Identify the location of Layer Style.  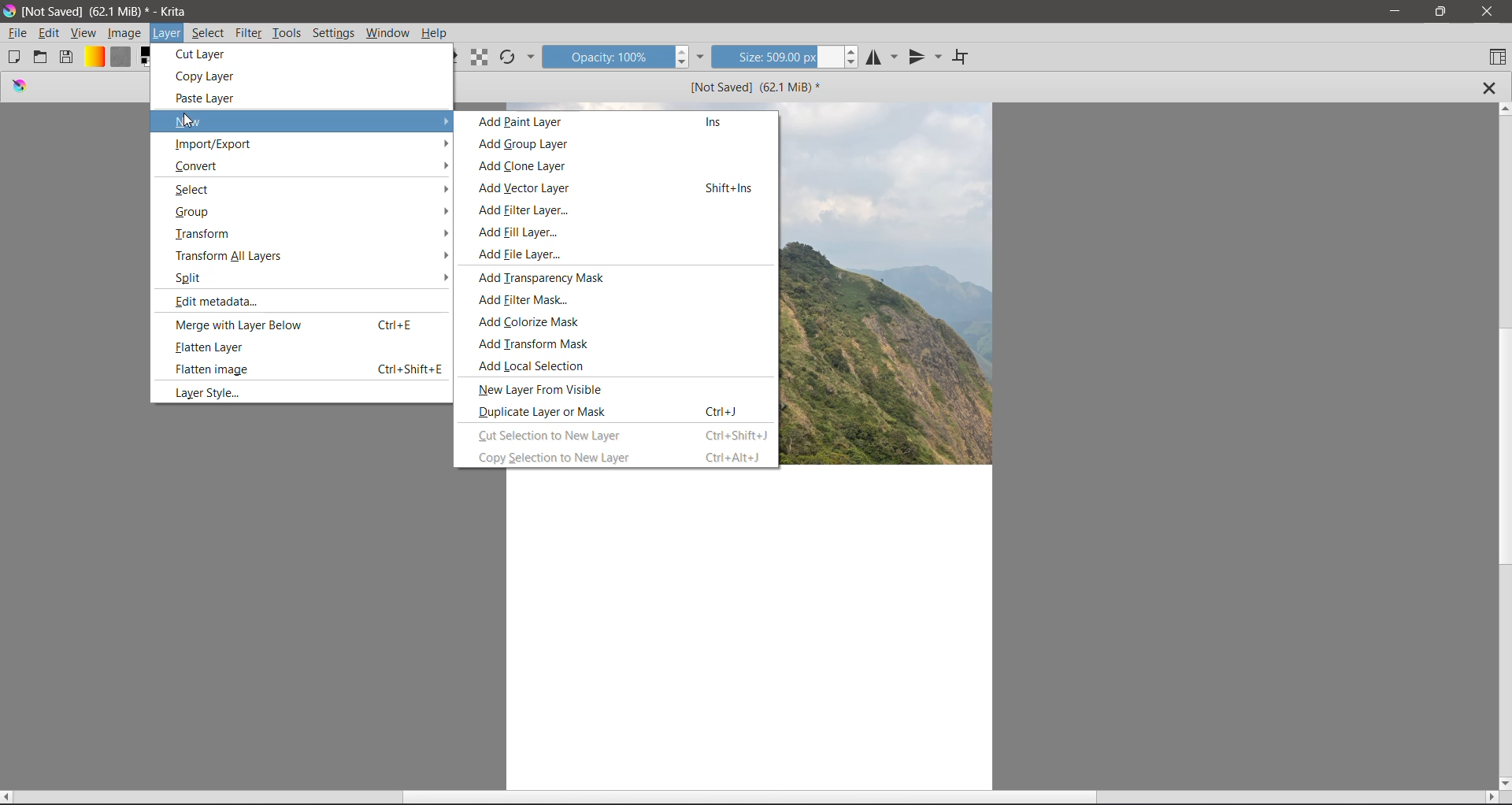
(206, 393).